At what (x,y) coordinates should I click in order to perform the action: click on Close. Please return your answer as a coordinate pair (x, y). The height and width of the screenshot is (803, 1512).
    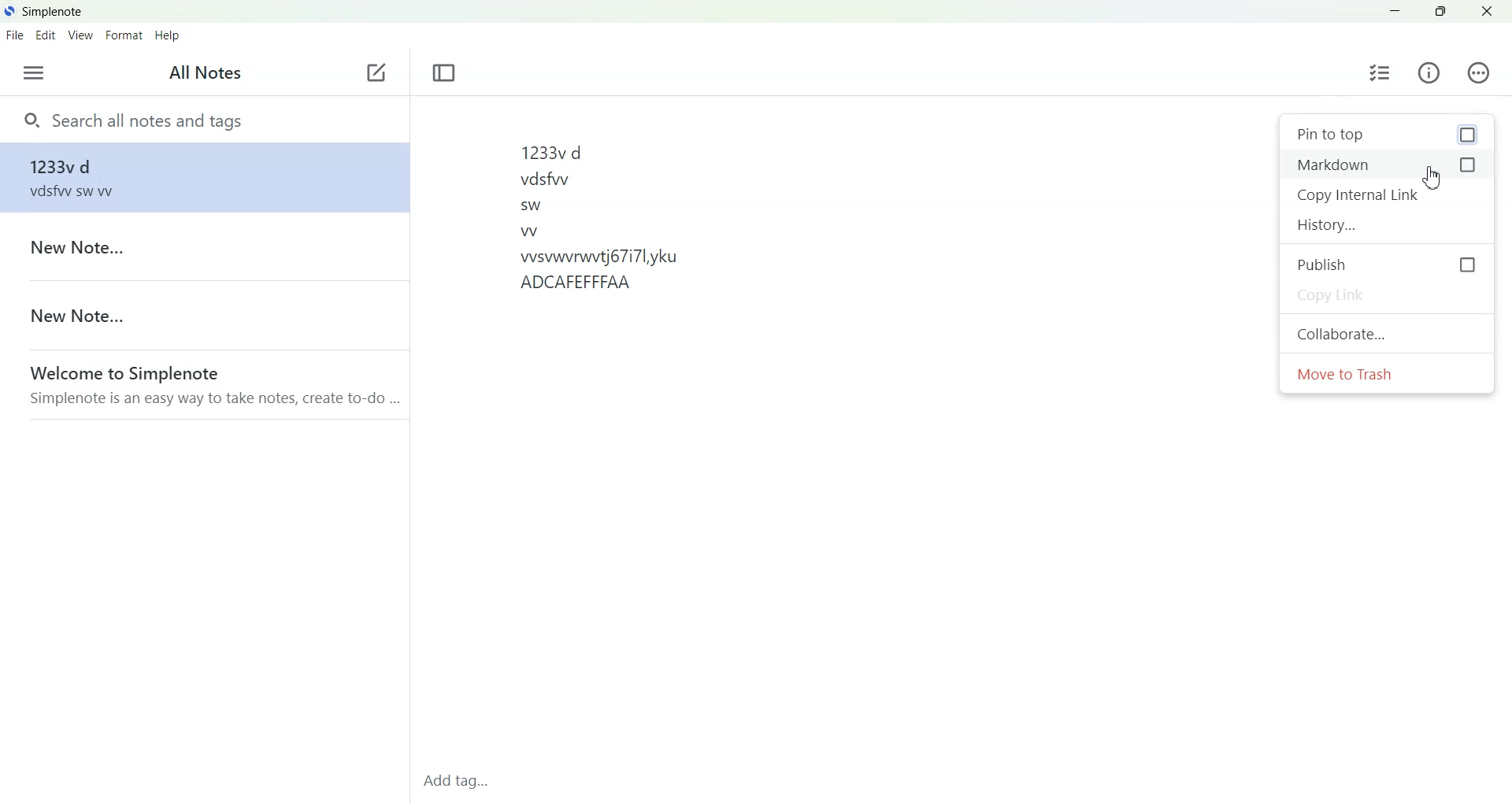
    Looking at the image, I should click on (1486, 11).